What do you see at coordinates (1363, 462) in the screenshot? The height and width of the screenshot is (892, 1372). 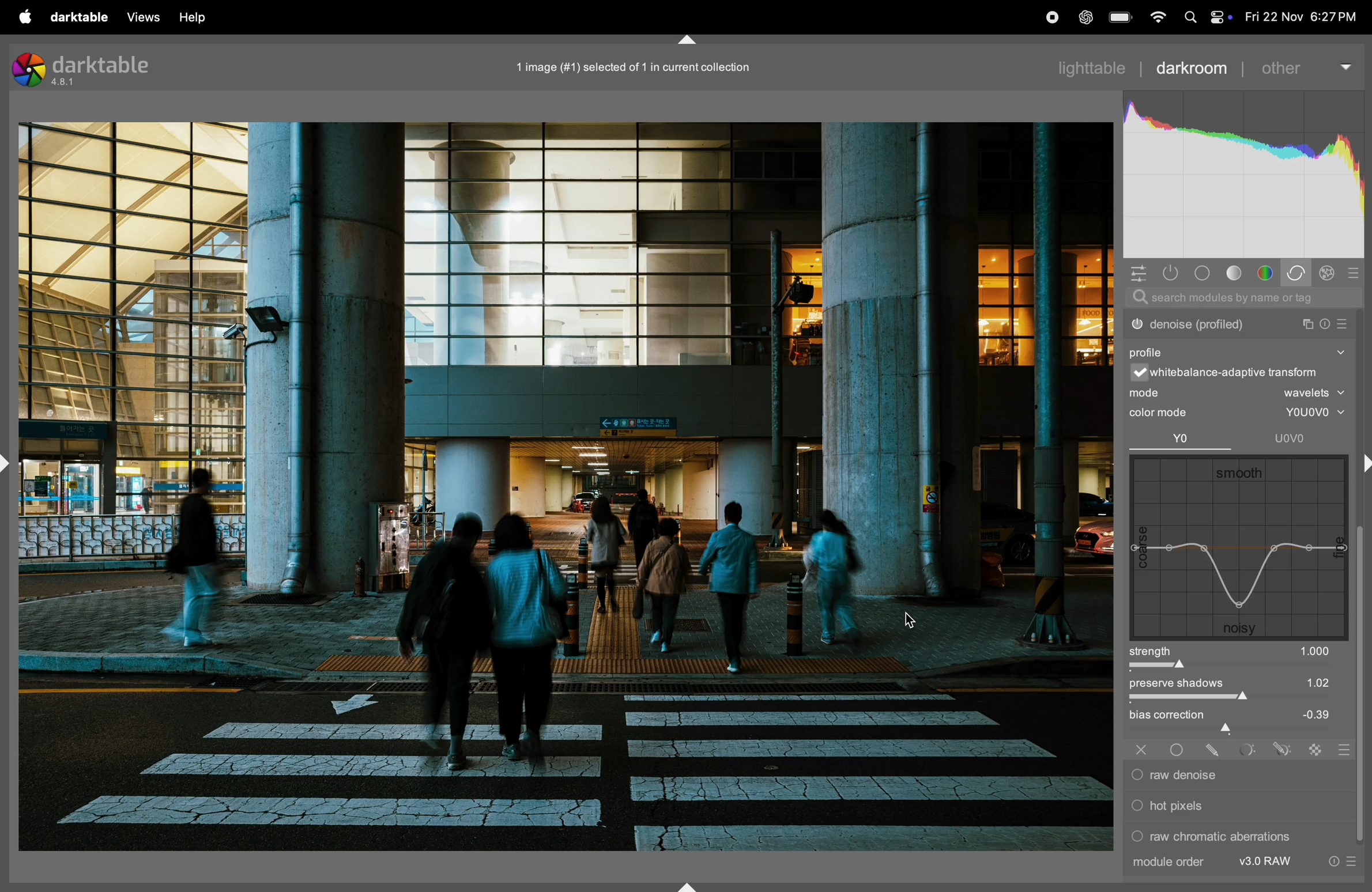 I see `shift+ctrl+r` at bounding box center [1363, 462].